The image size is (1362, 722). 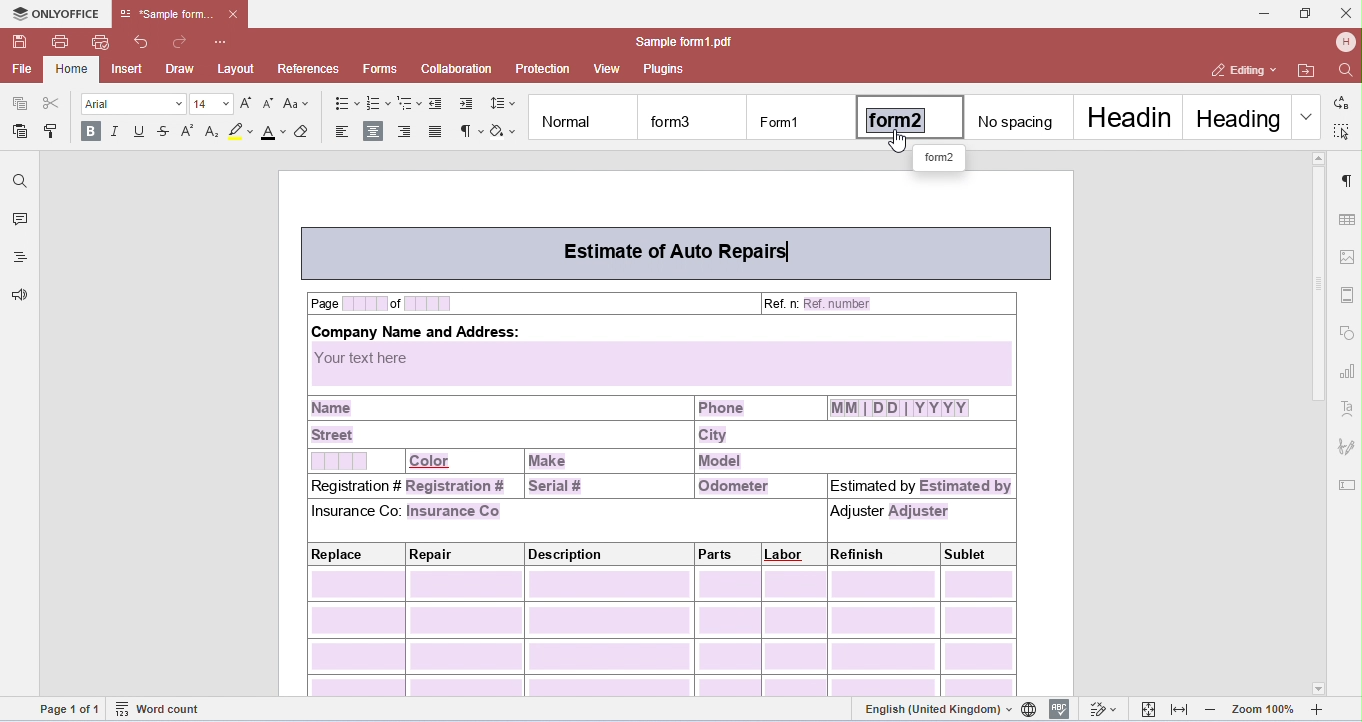 What do you see at coordinates (1345, 12) in the screenshot?
I see `close` at bounding box center [1345, 12].